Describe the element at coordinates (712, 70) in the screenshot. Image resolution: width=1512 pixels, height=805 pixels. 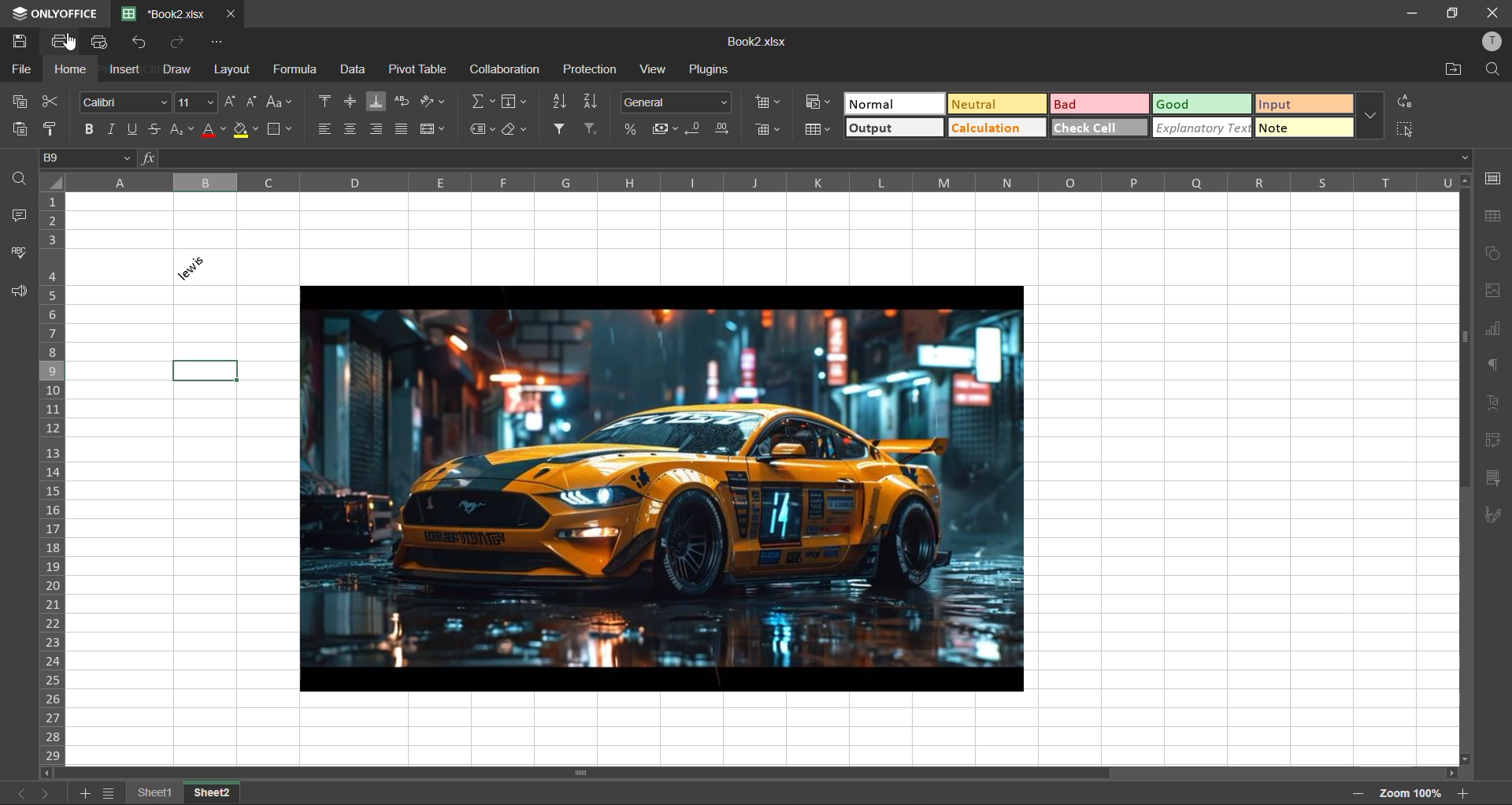
I see `plugins` at that location.